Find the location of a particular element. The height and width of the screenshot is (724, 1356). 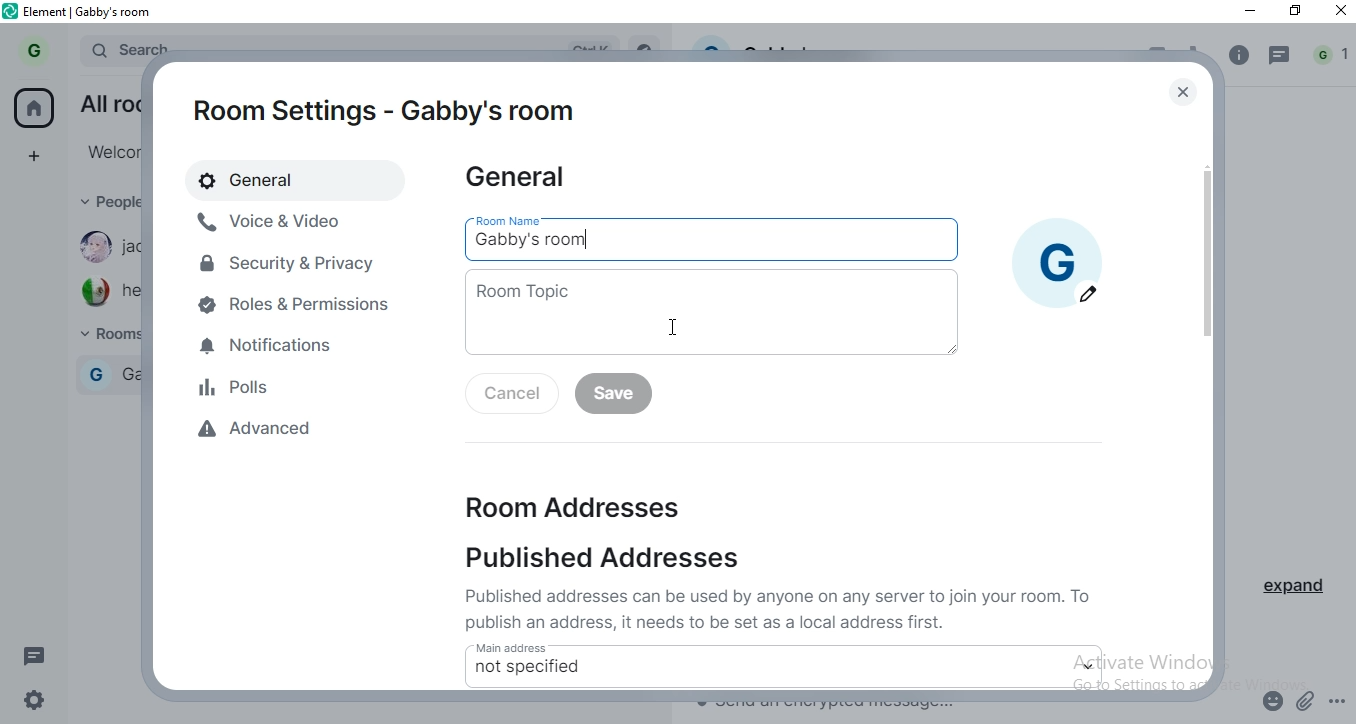

jackmama is located at coordinates (106, 248).